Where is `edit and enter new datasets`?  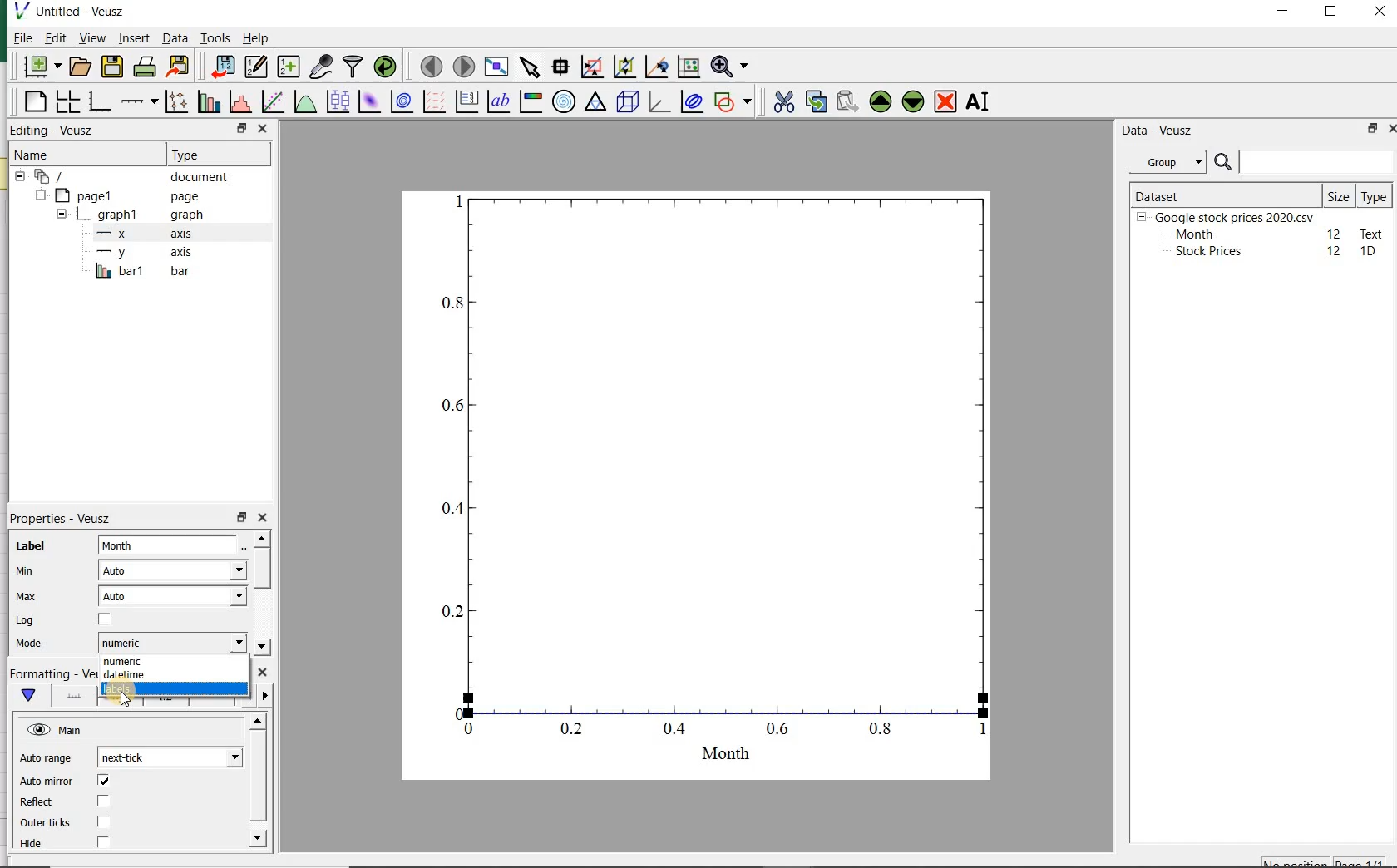
edit and enter new datasets is located at coordinates (255, 67).